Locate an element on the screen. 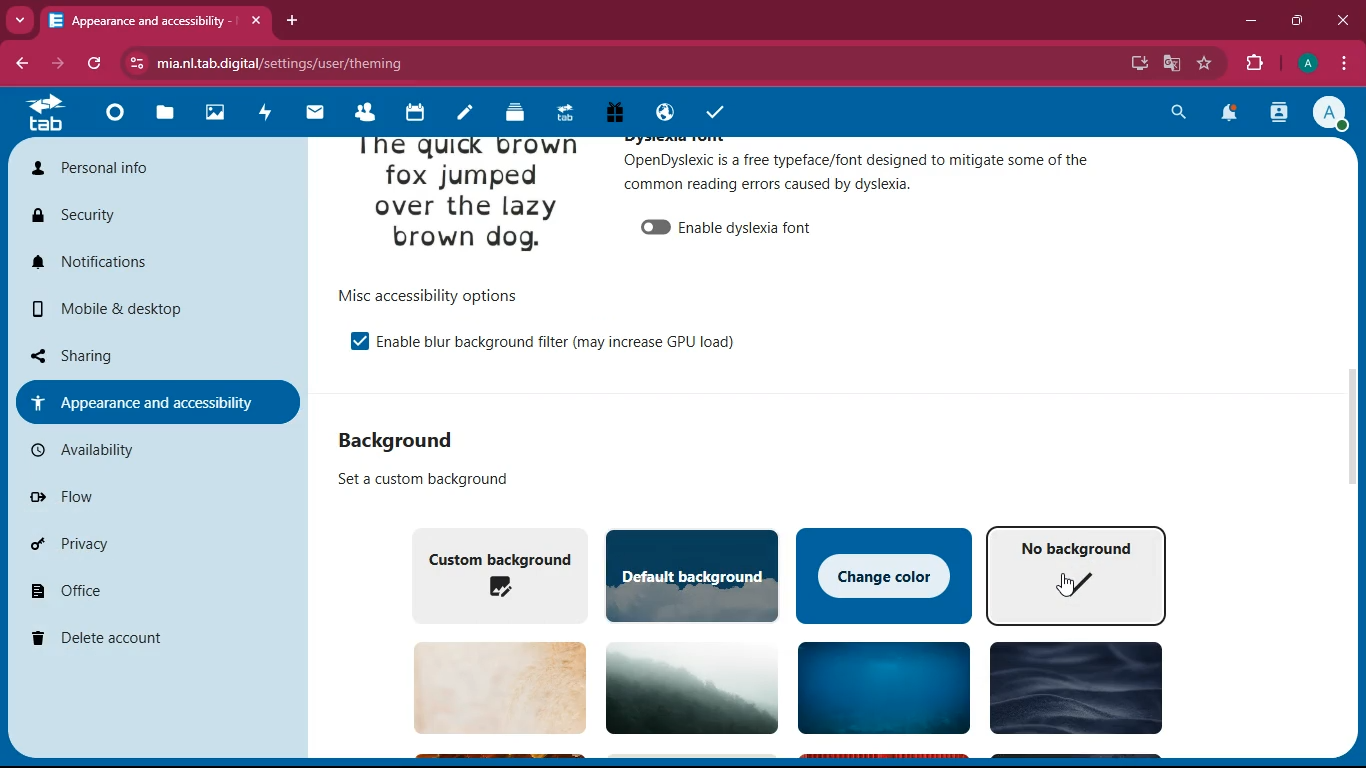  refresh is located at coordinates (100, 64).